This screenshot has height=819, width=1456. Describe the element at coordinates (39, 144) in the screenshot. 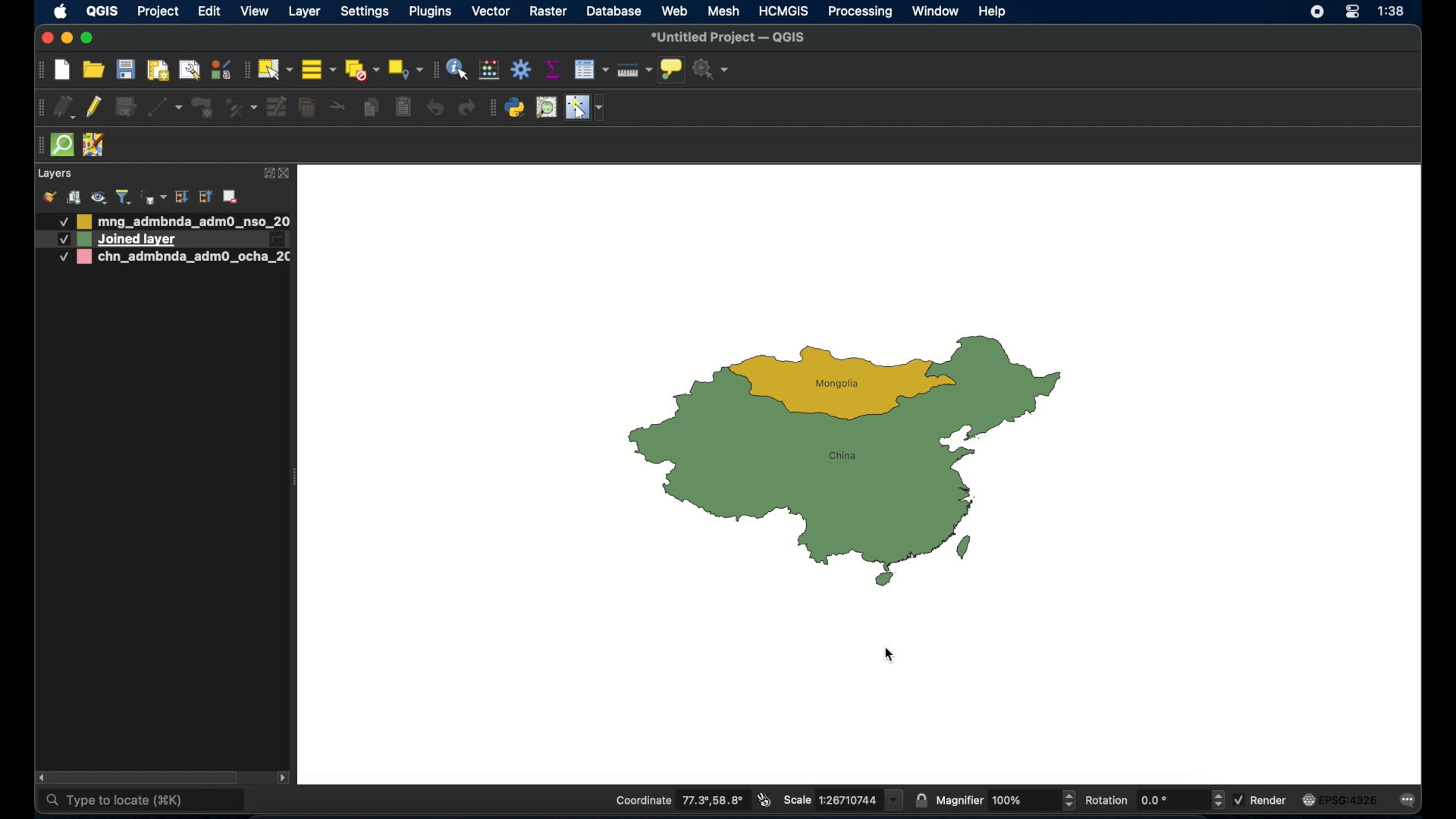

I see `drag handle` at that location.